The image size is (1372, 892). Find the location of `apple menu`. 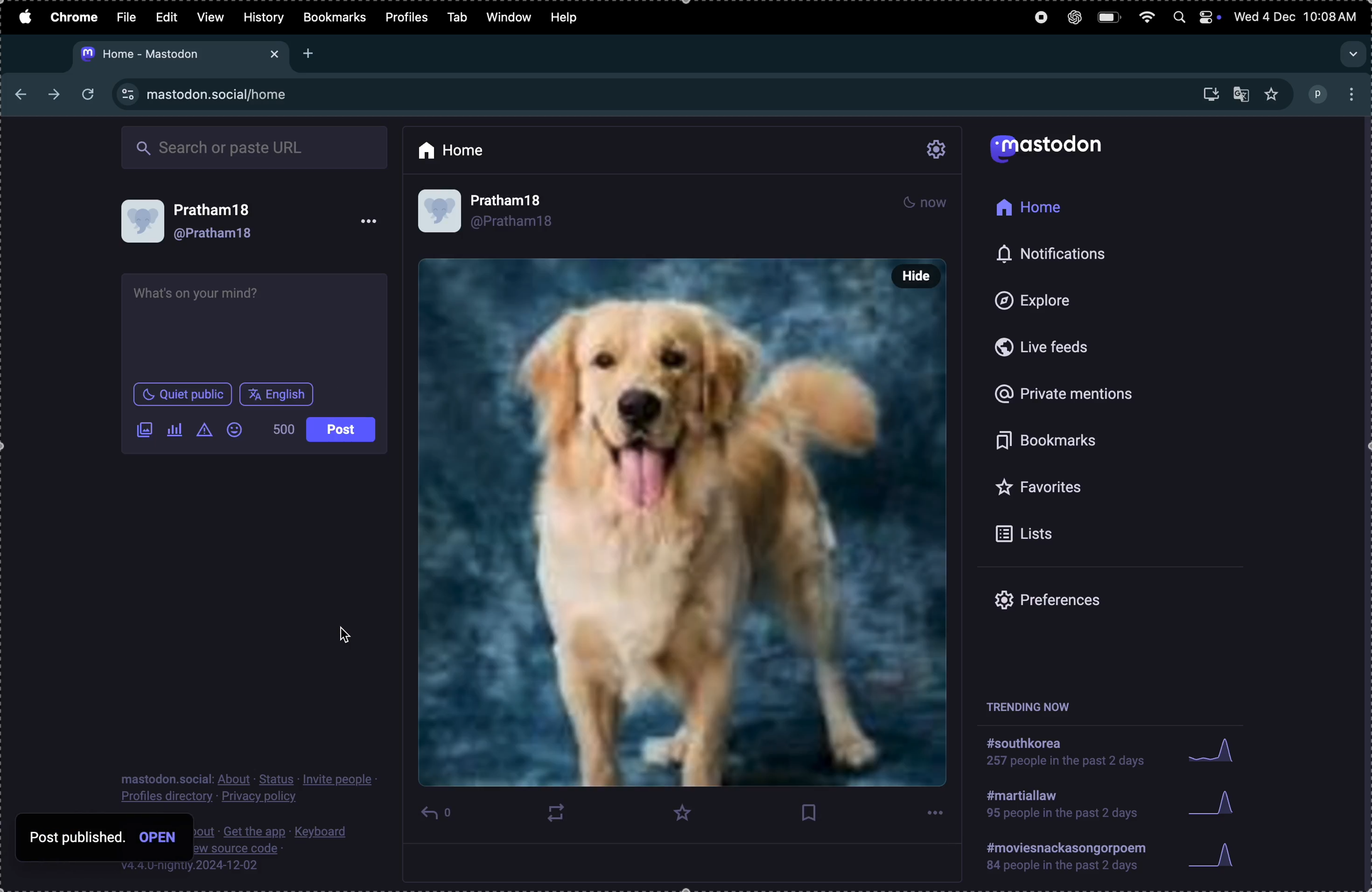

apple menu is located at coordinates (22, 16).